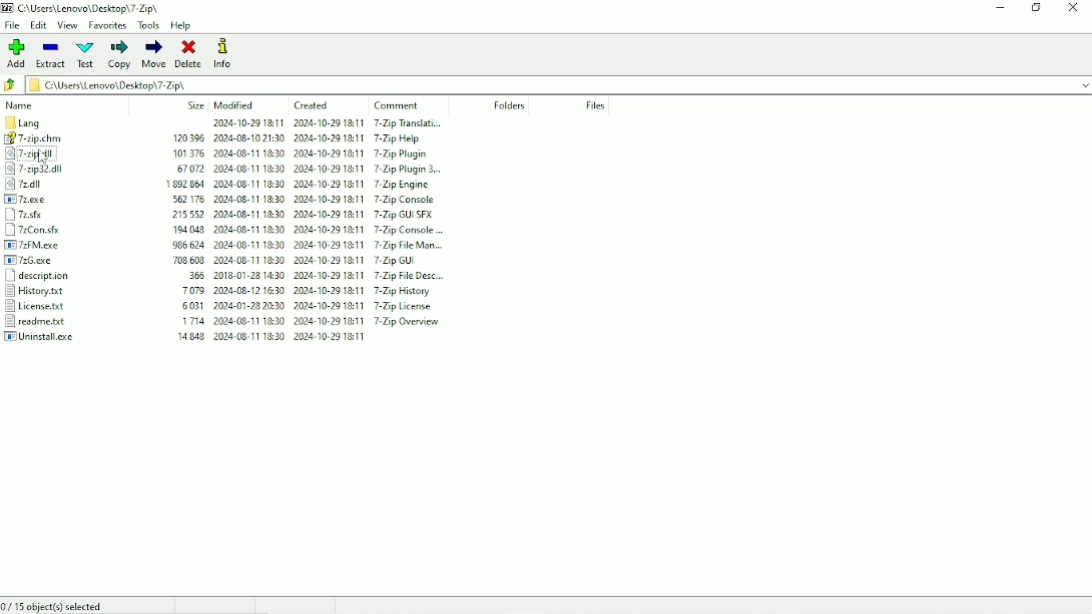 The width and height of the screenshot is (1092, 614). I want to click on Extract, so click(51, 55).